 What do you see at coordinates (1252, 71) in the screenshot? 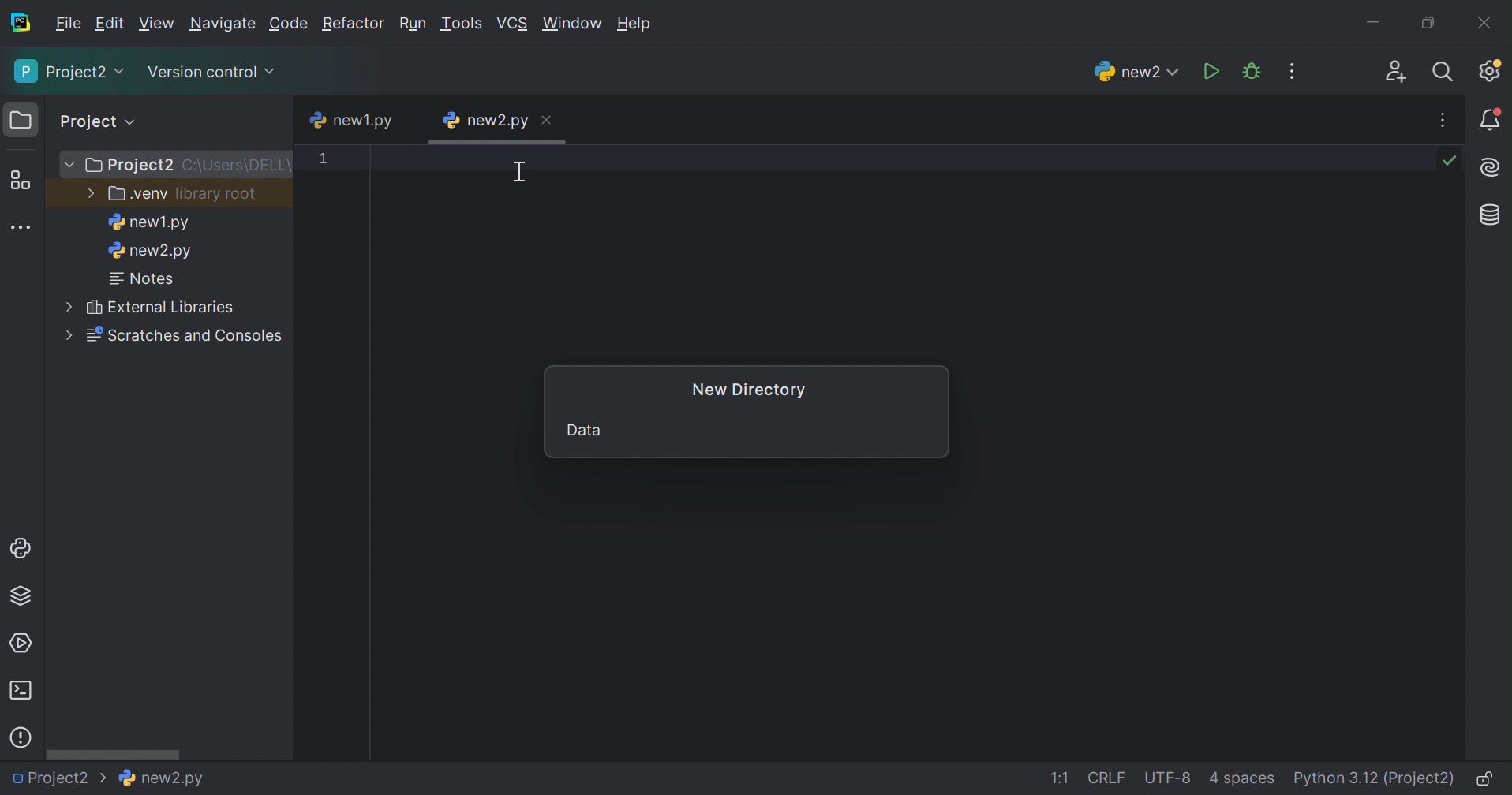
I see `Debug` at bounding box center [1252, 71].